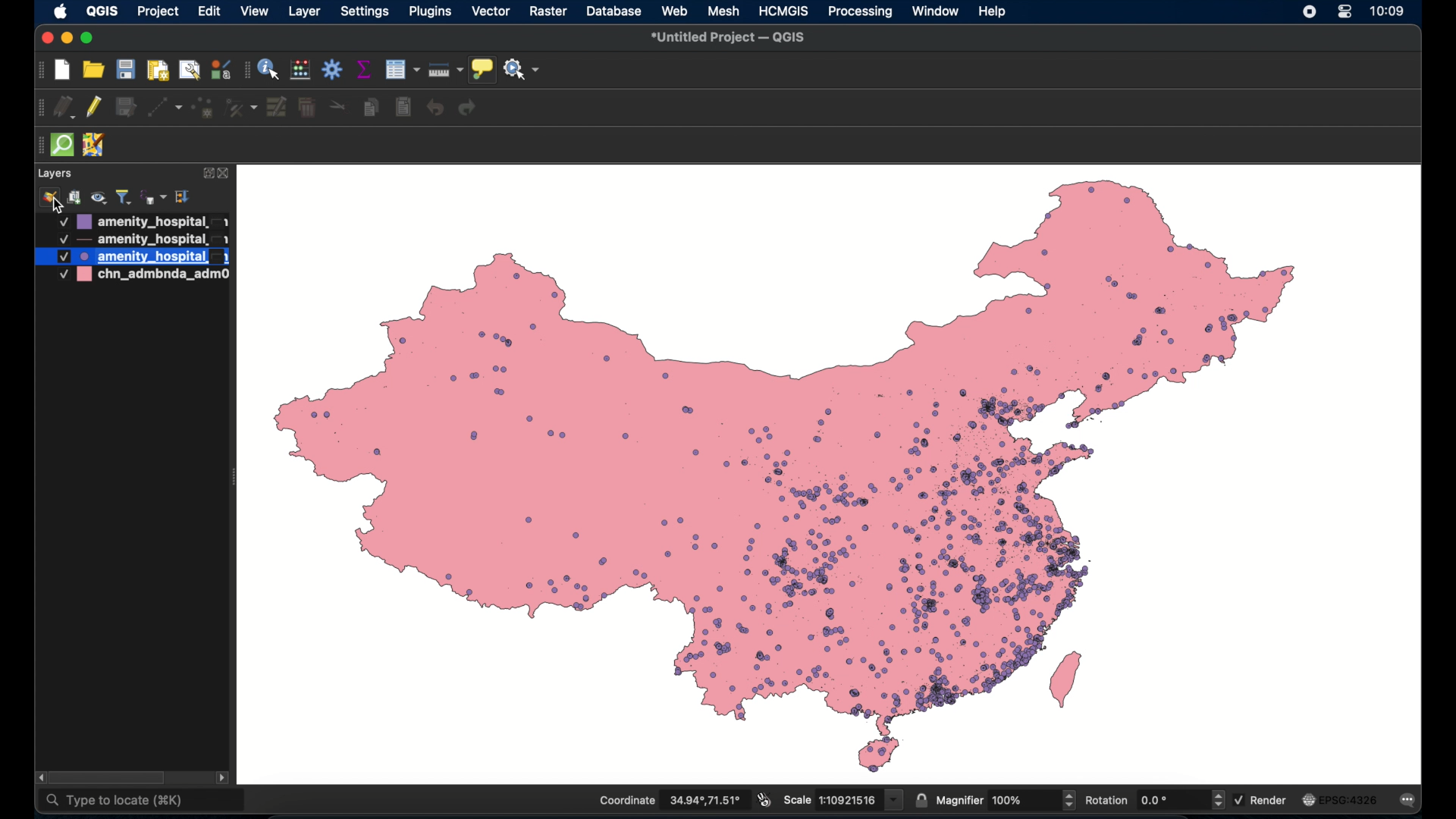 Image resolution: width=1456 pixels, height=819 pixels. Describe the element at coordinates (303, 11) in the screenshot. I see `layer` at that location.